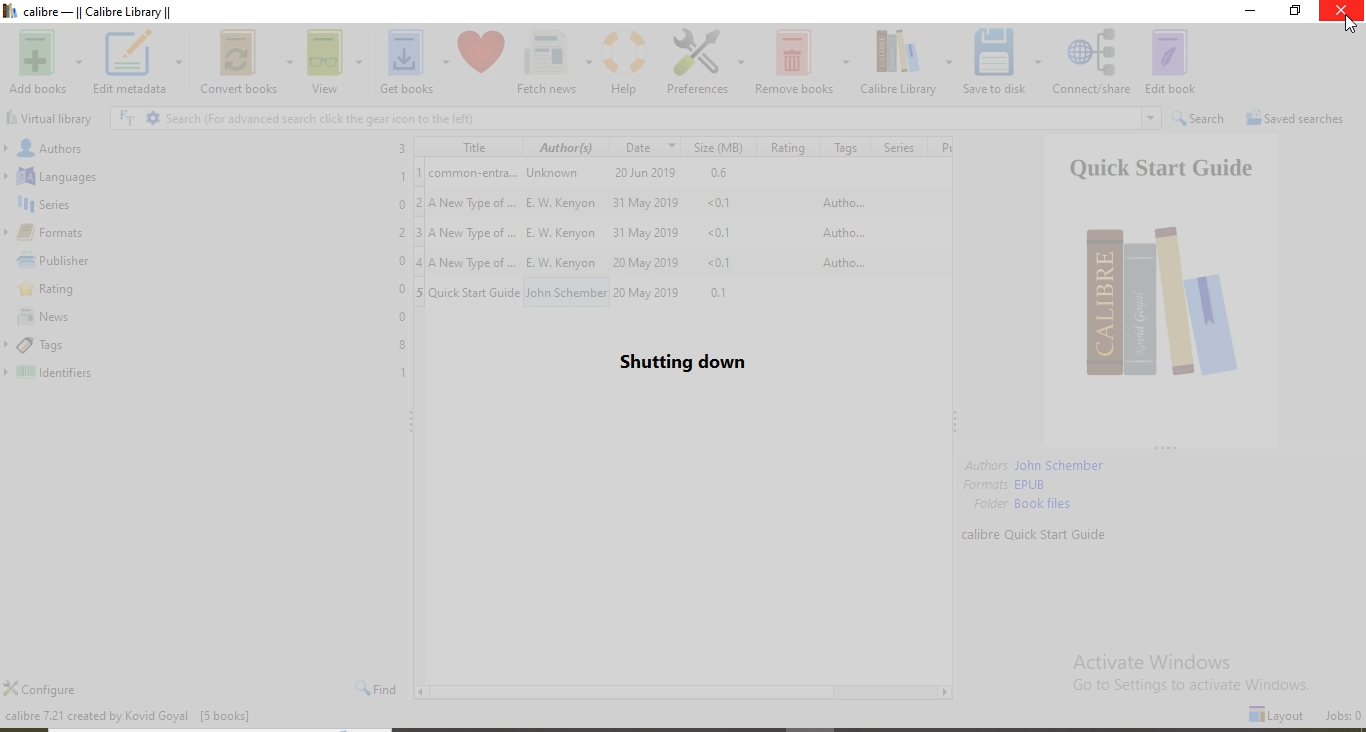 The image size is (1366, 732). Describe the element at coordinates (48, 62) in the screenshot. I see `Add books` at that location.